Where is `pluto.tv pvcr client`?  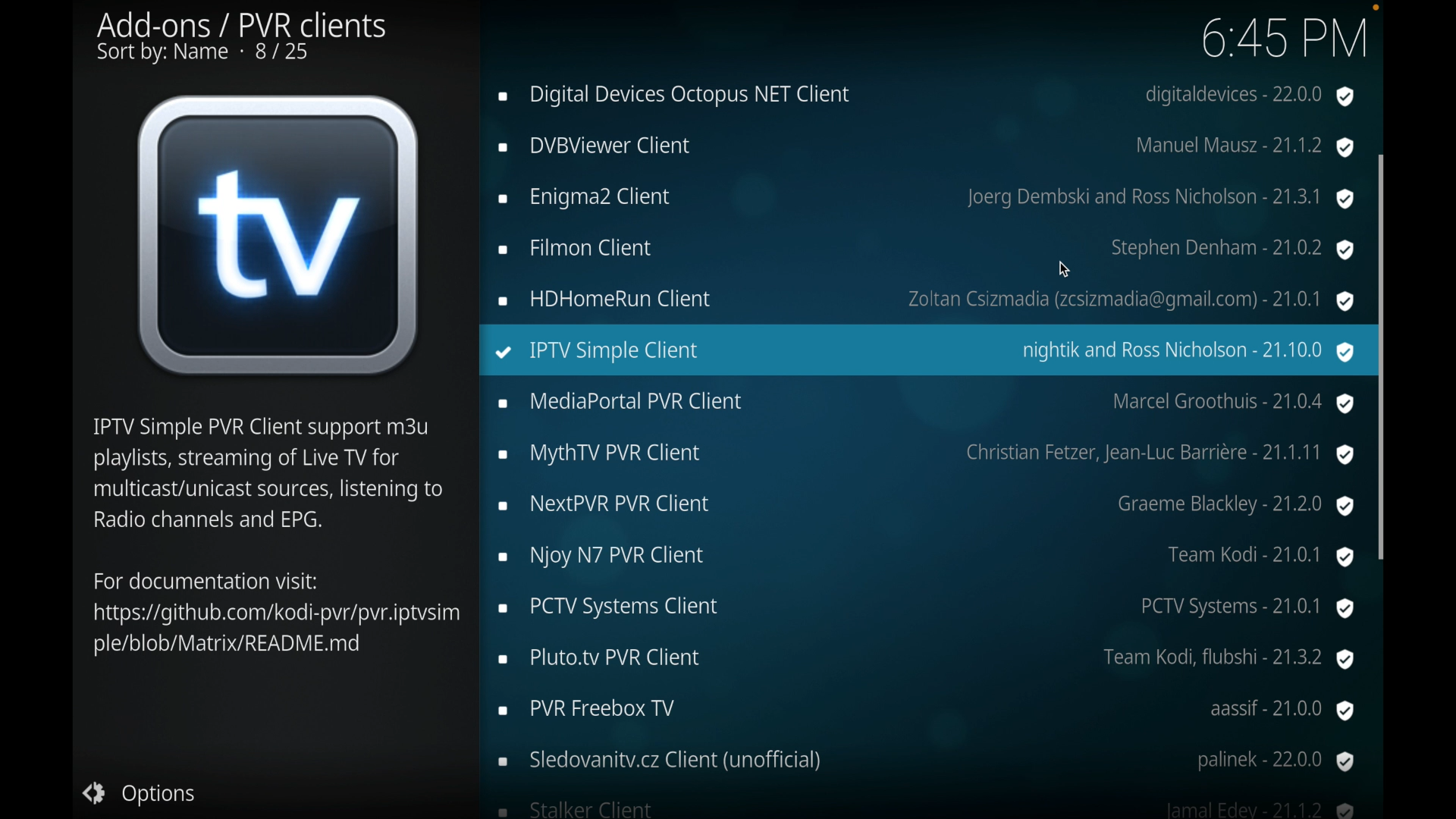 pluto.tv pvcr client is located at coordinates (927, 660).